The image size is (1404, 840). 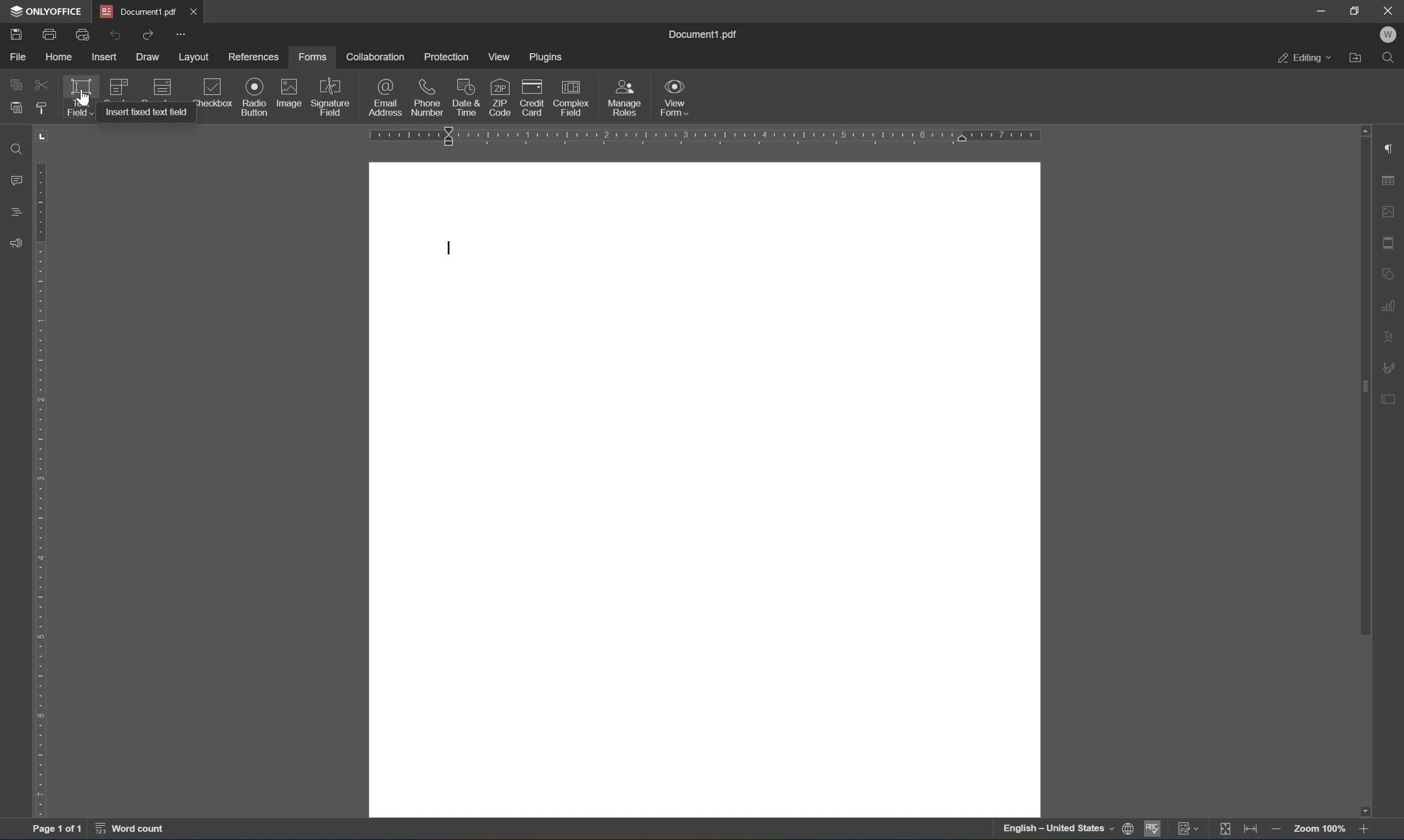 What do you see at coordinates (450, 57) in the screenshot?
I see `protection` at bounding box center [450, 57].